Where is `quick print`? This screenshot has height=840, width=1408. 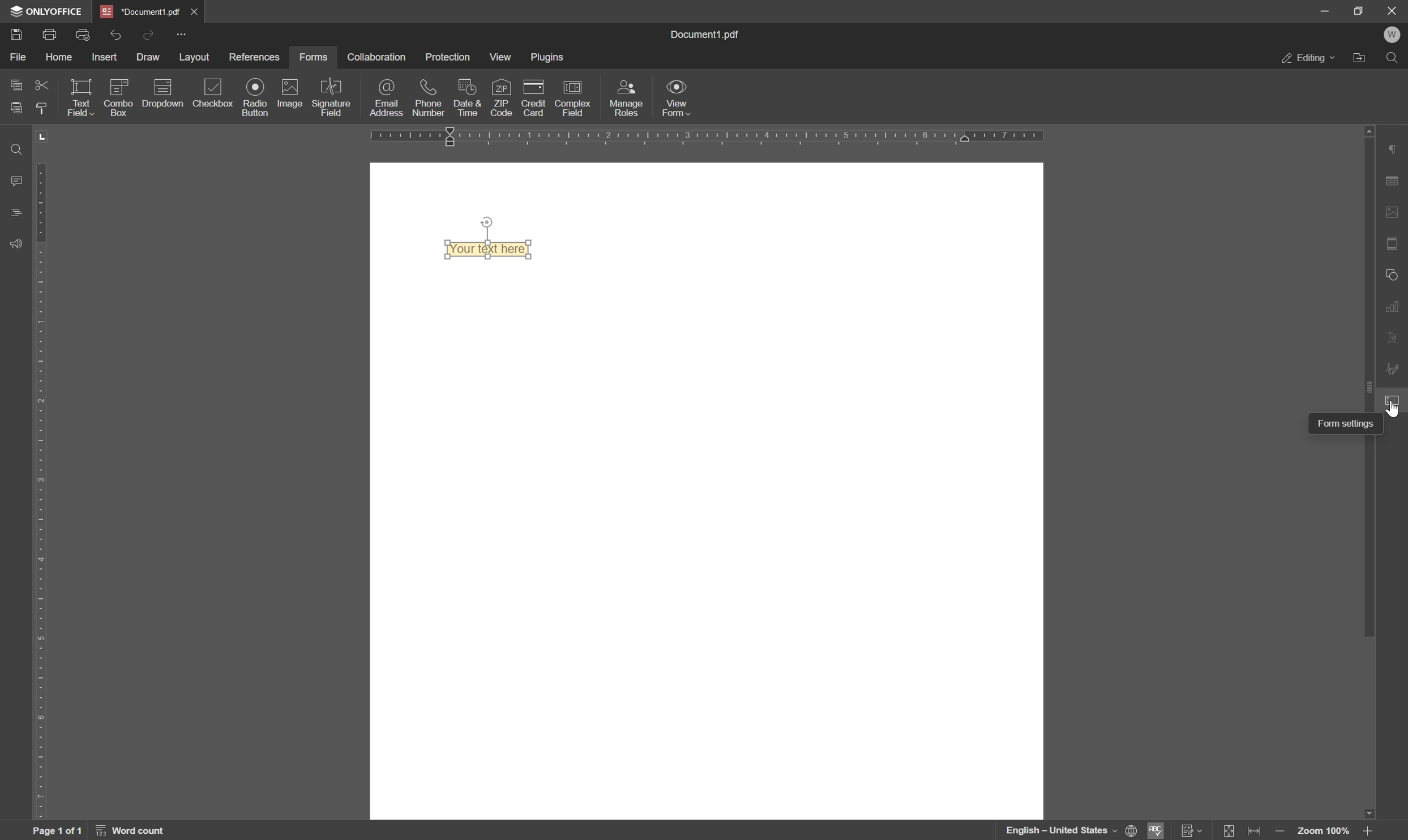
quick print is located at coordinates (83, 35).